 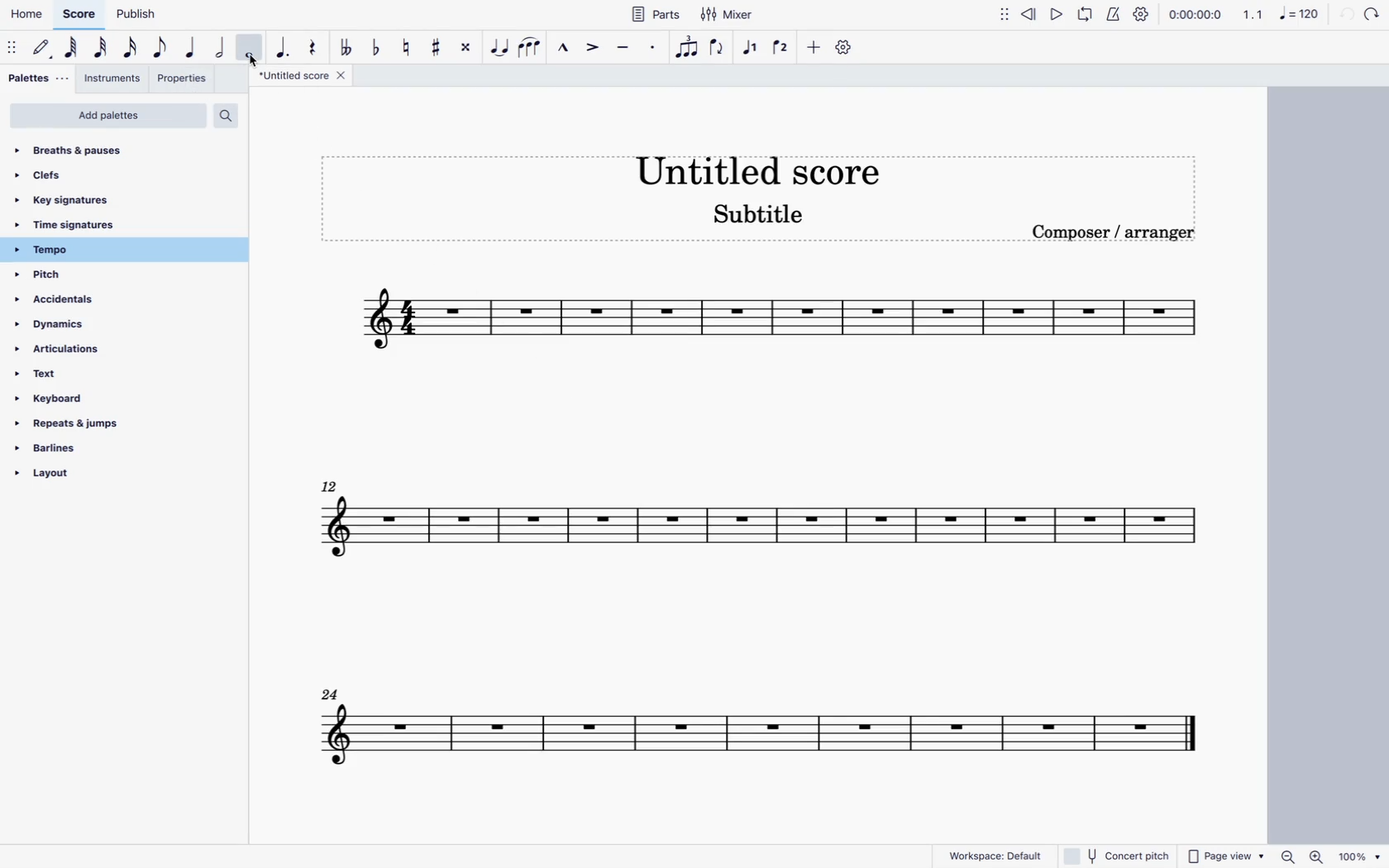 What do you see at coordinates (41, 48) in the screenshot?
I see `default` at bounding box center [41, 48].